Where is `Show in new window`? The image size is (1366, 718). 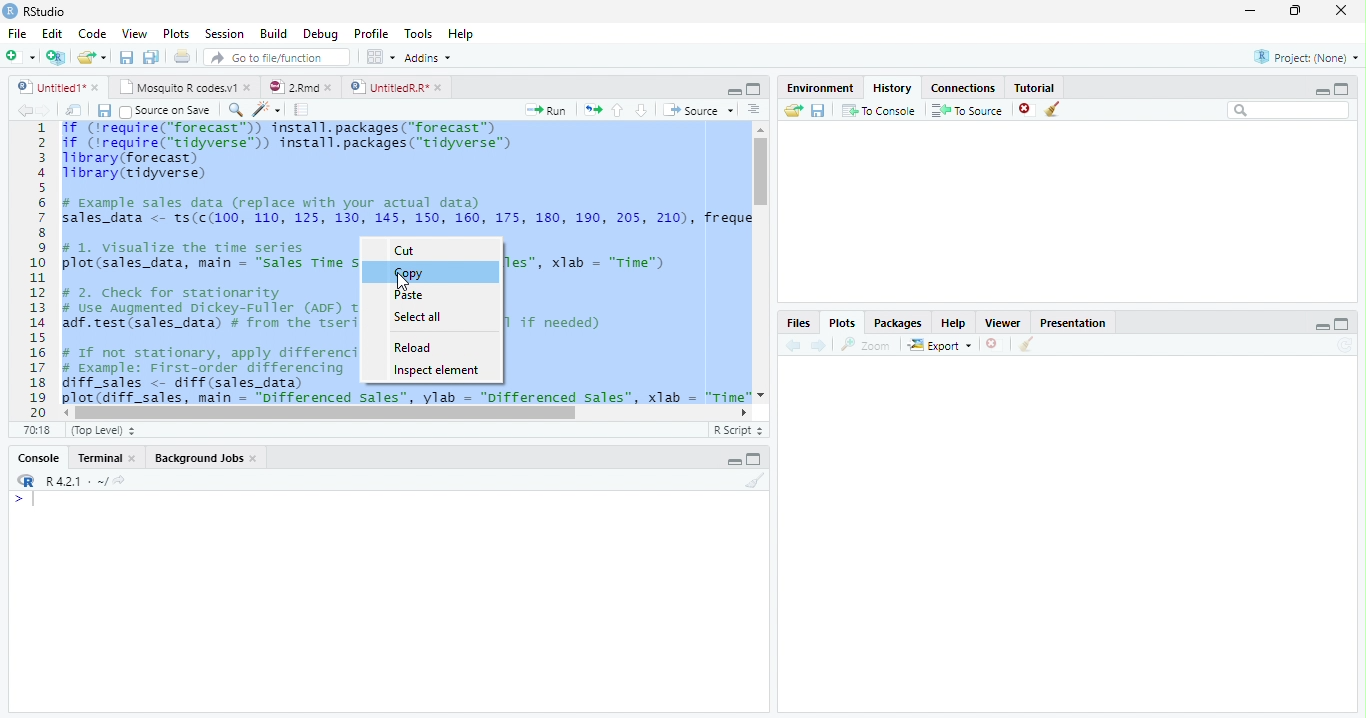 Show in new window is located at coordinates (74, 110).